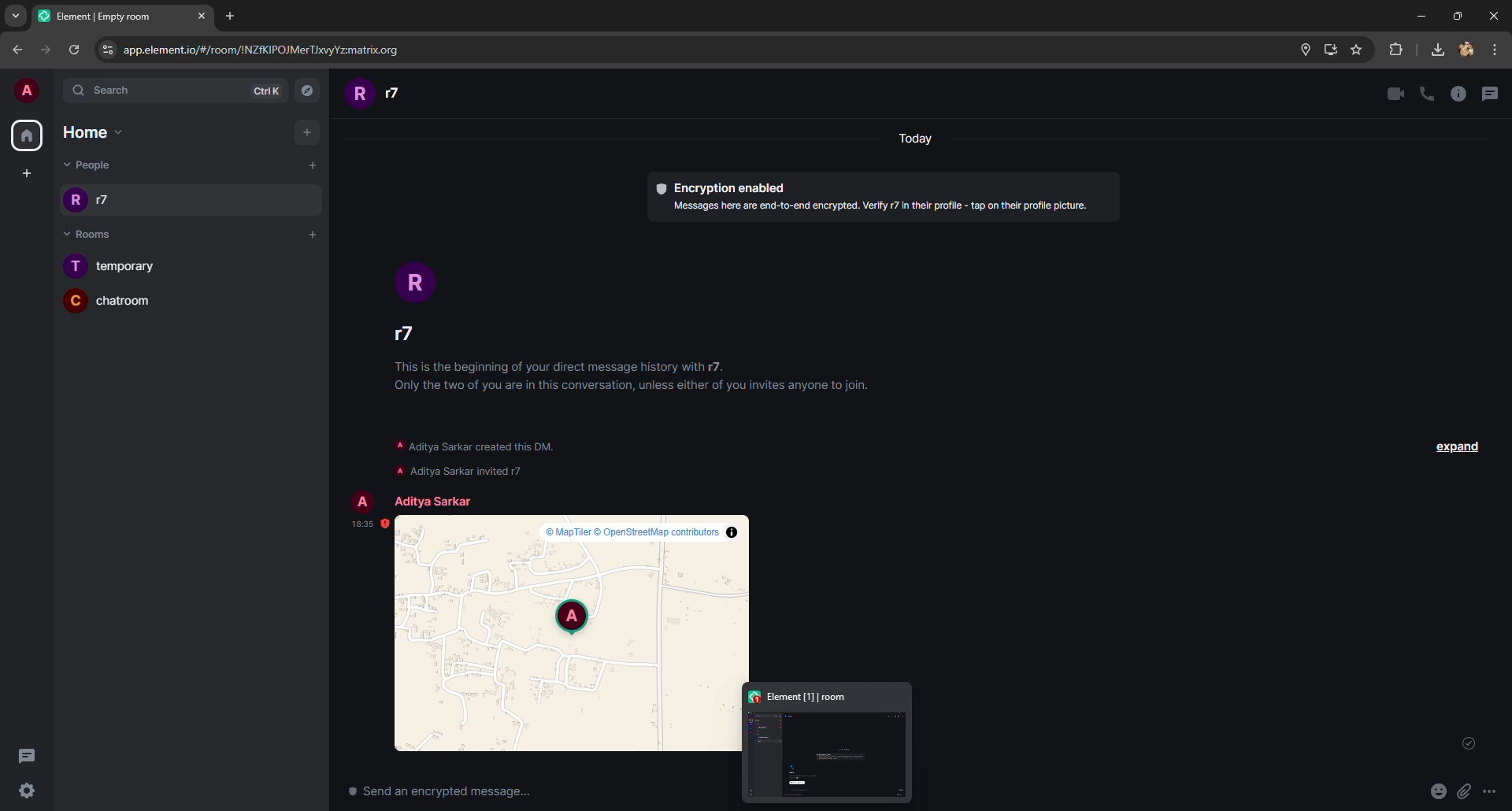  What do you see at coordinates (311, 132) in the screenshot?
I see `add` at bounding box center [311, 132].